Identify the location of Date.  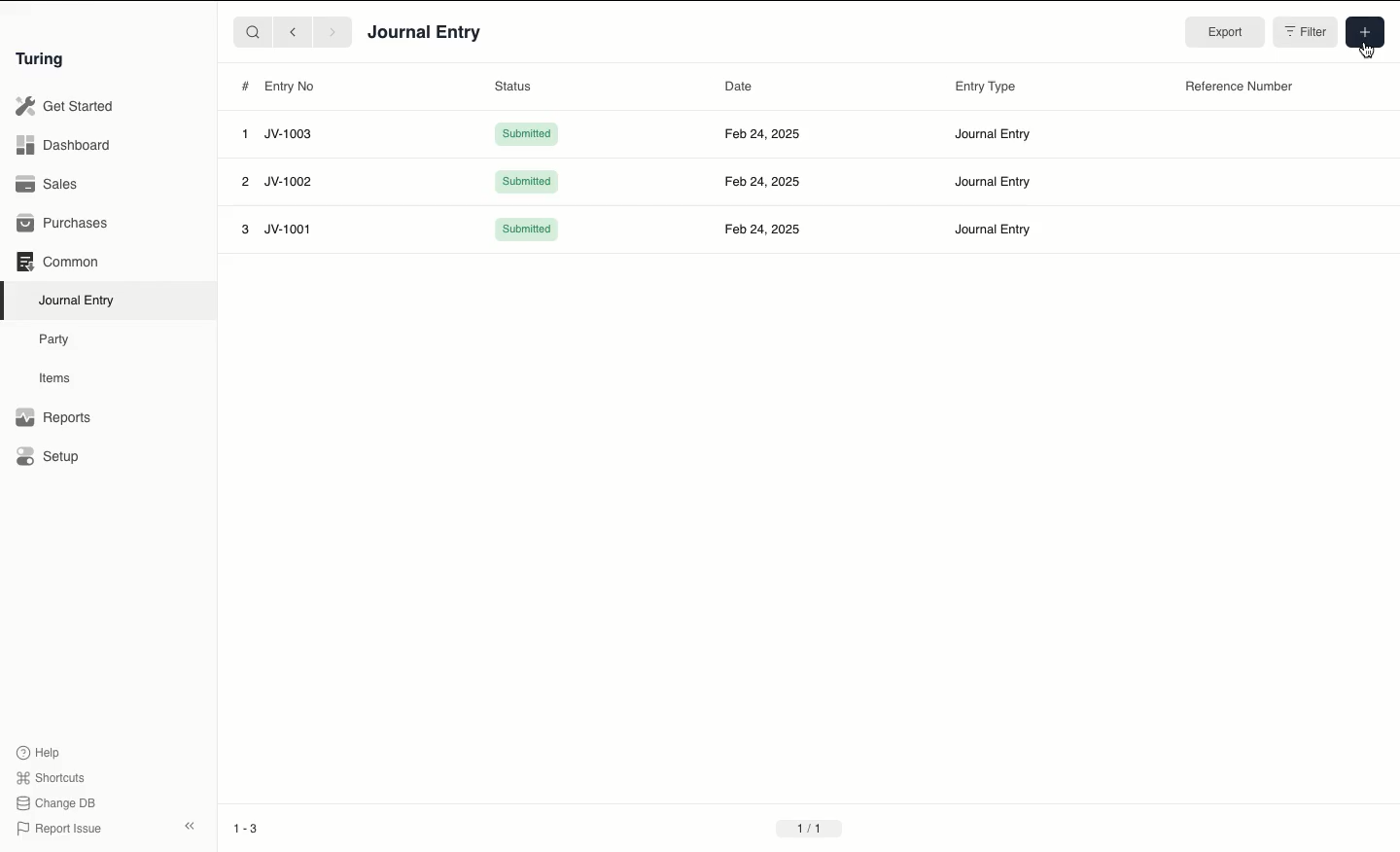
(739, 89).